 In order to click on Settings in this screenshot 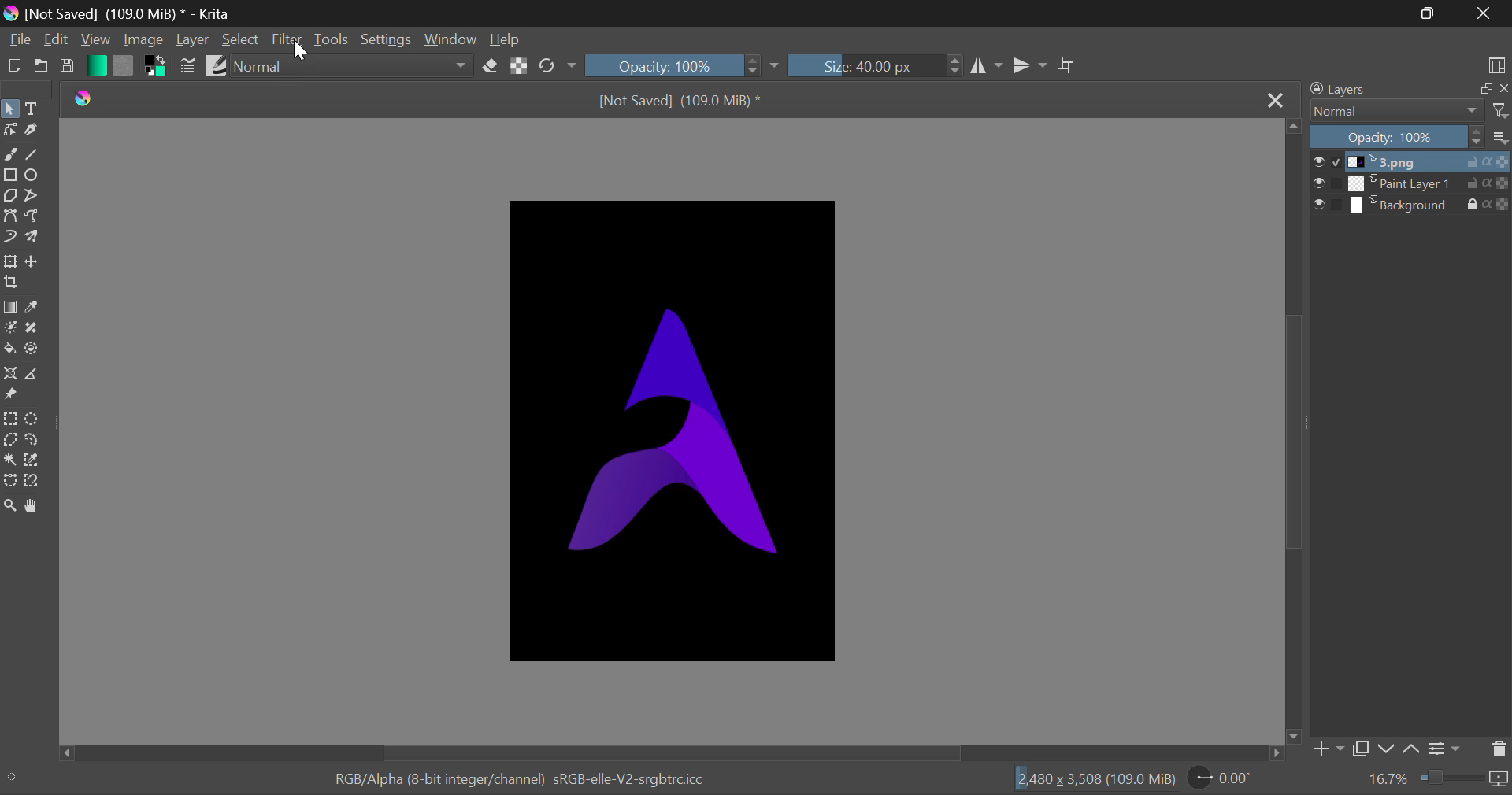, I will do `click(1447, 747)`.